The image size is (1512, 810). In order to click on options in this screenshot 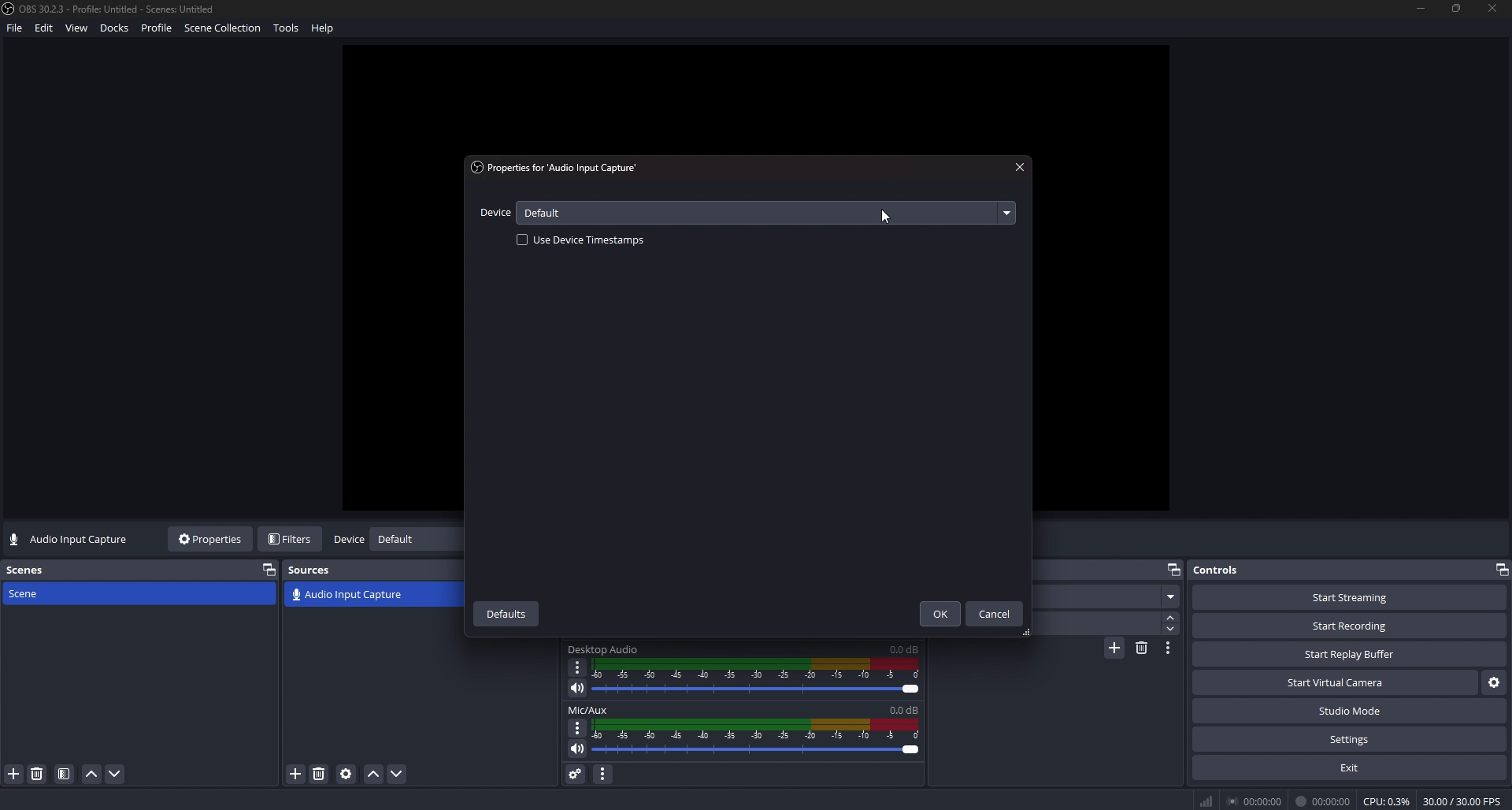, I will do `click(576, 726)`.